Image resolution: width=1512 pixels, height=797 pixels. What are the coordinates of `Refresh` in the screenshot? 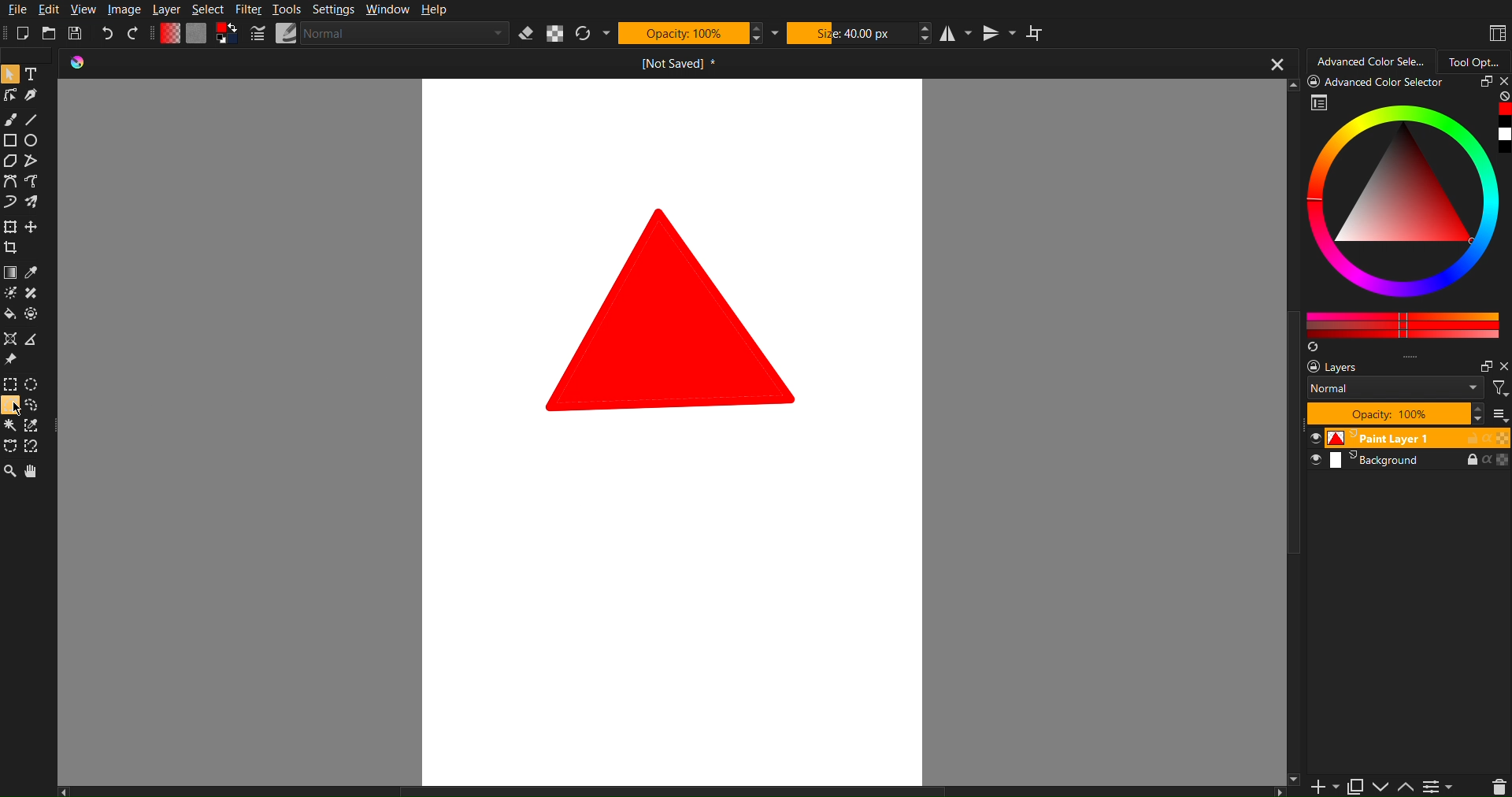 It's located at (587, 34).